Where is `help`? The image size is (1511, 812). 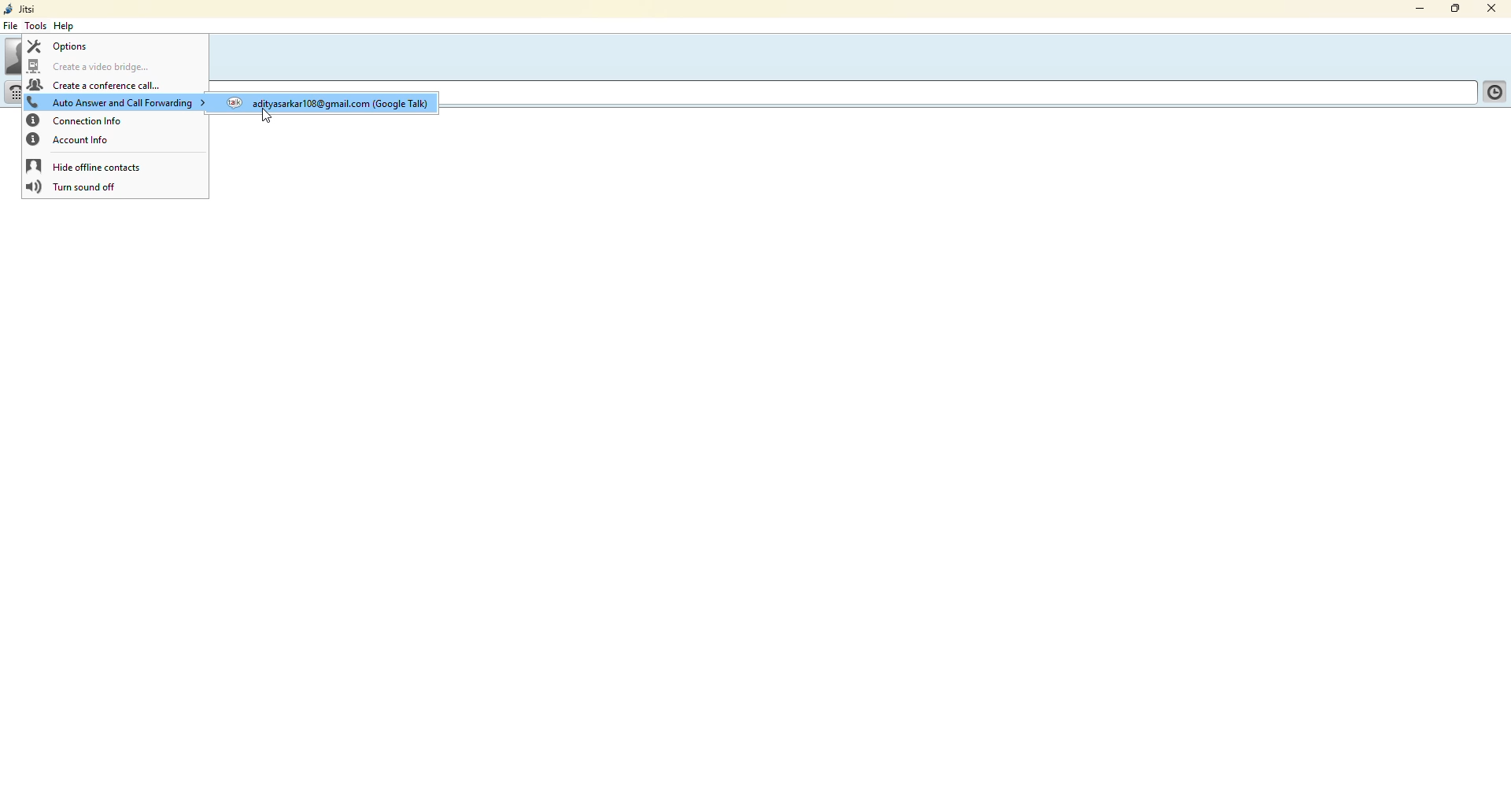
help is located at coordinates (65, 26).